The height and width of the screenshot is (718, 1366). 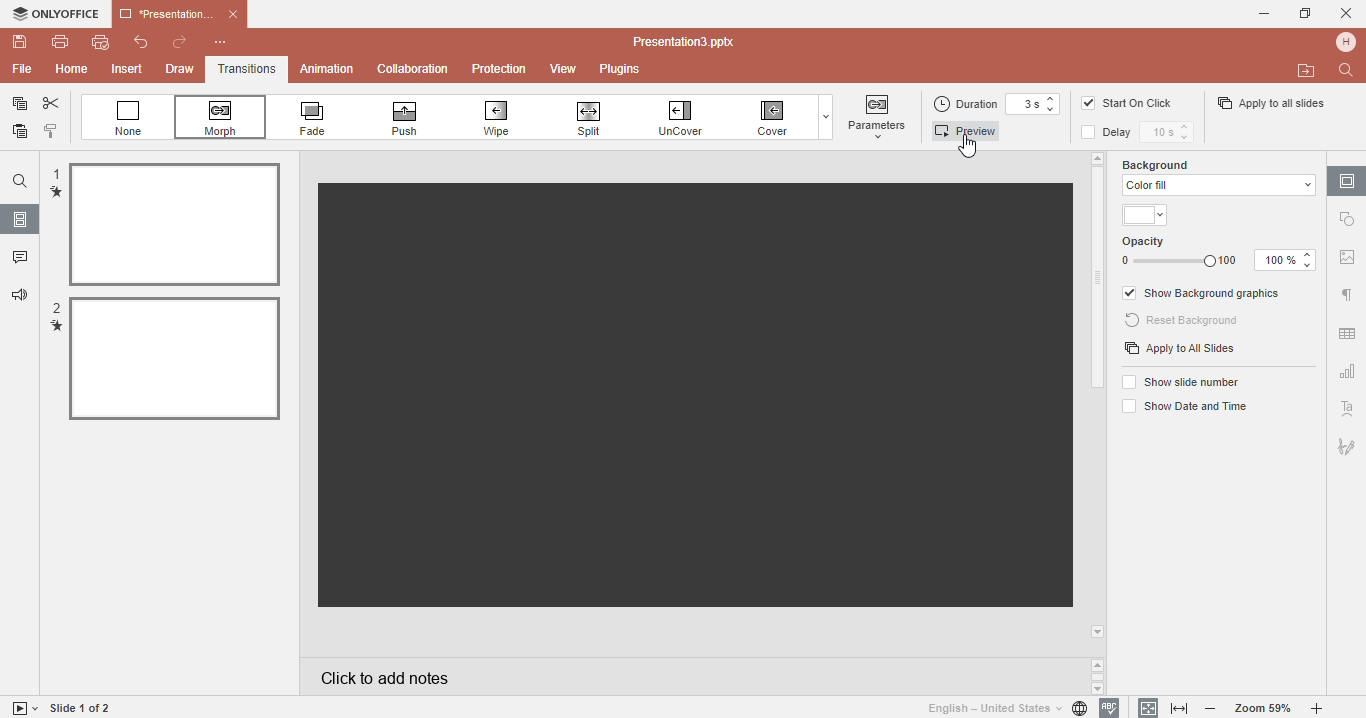 I want to click on Customize quick access toolbar, so click(x=231, y=42).